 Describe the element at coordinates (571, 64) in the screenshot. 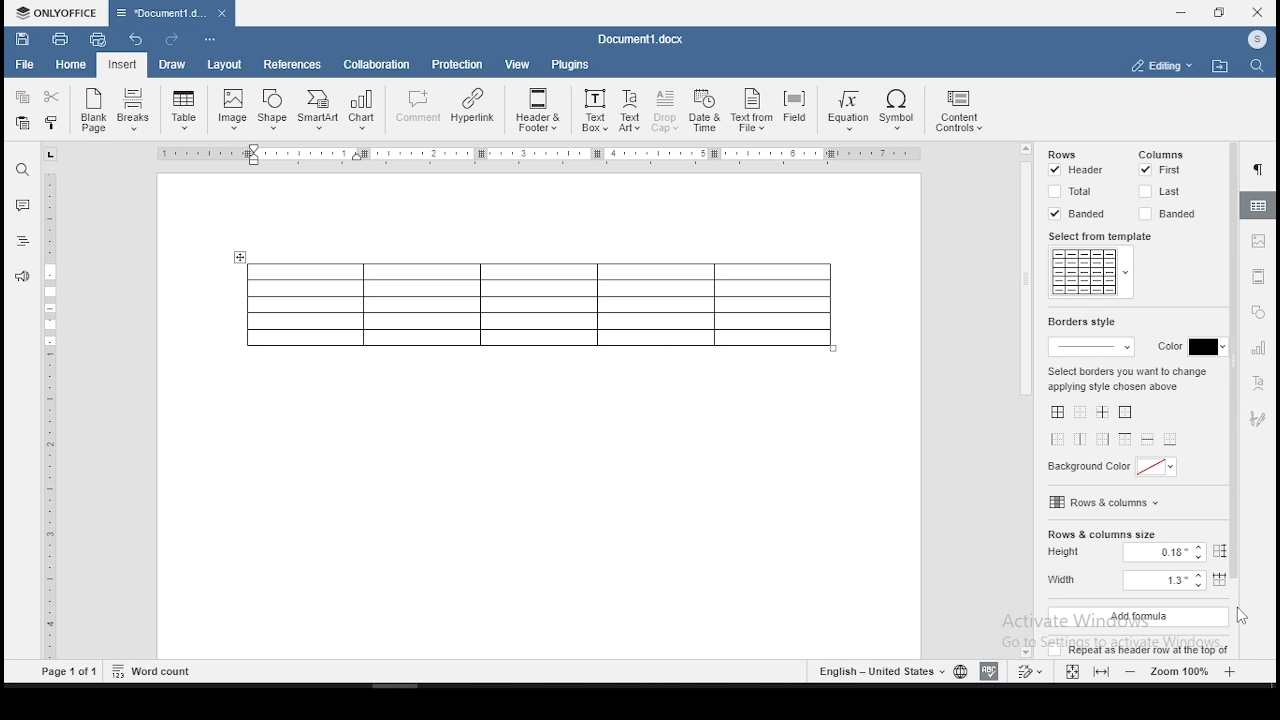

I see `plugins` at that location.